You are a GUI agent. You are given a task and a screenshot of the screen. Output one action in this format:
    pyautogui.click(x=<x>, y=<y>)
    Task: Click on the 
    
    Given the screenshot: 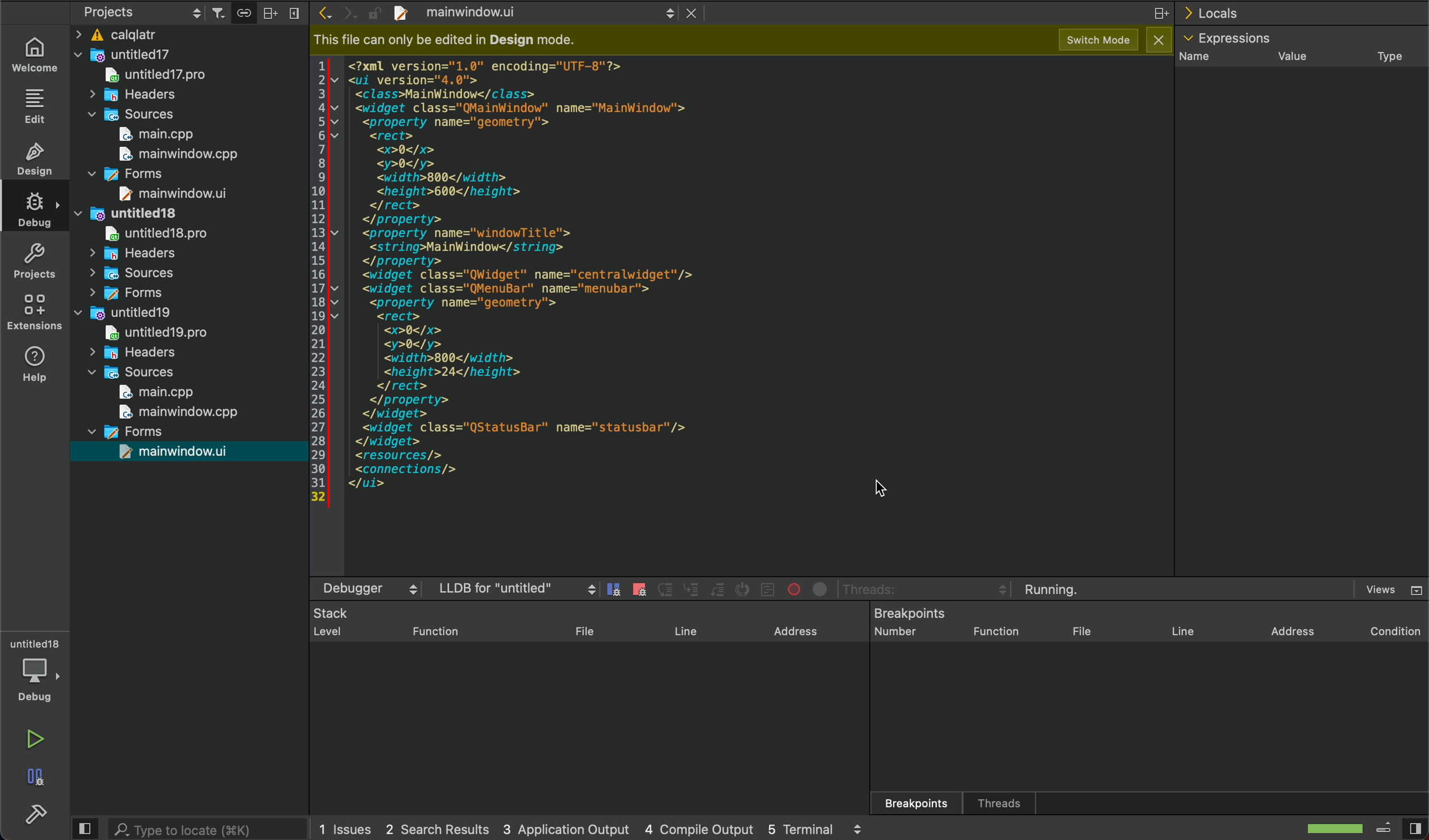 What is the action you would take?
    pyautogui.click(x=883, y=590)
    